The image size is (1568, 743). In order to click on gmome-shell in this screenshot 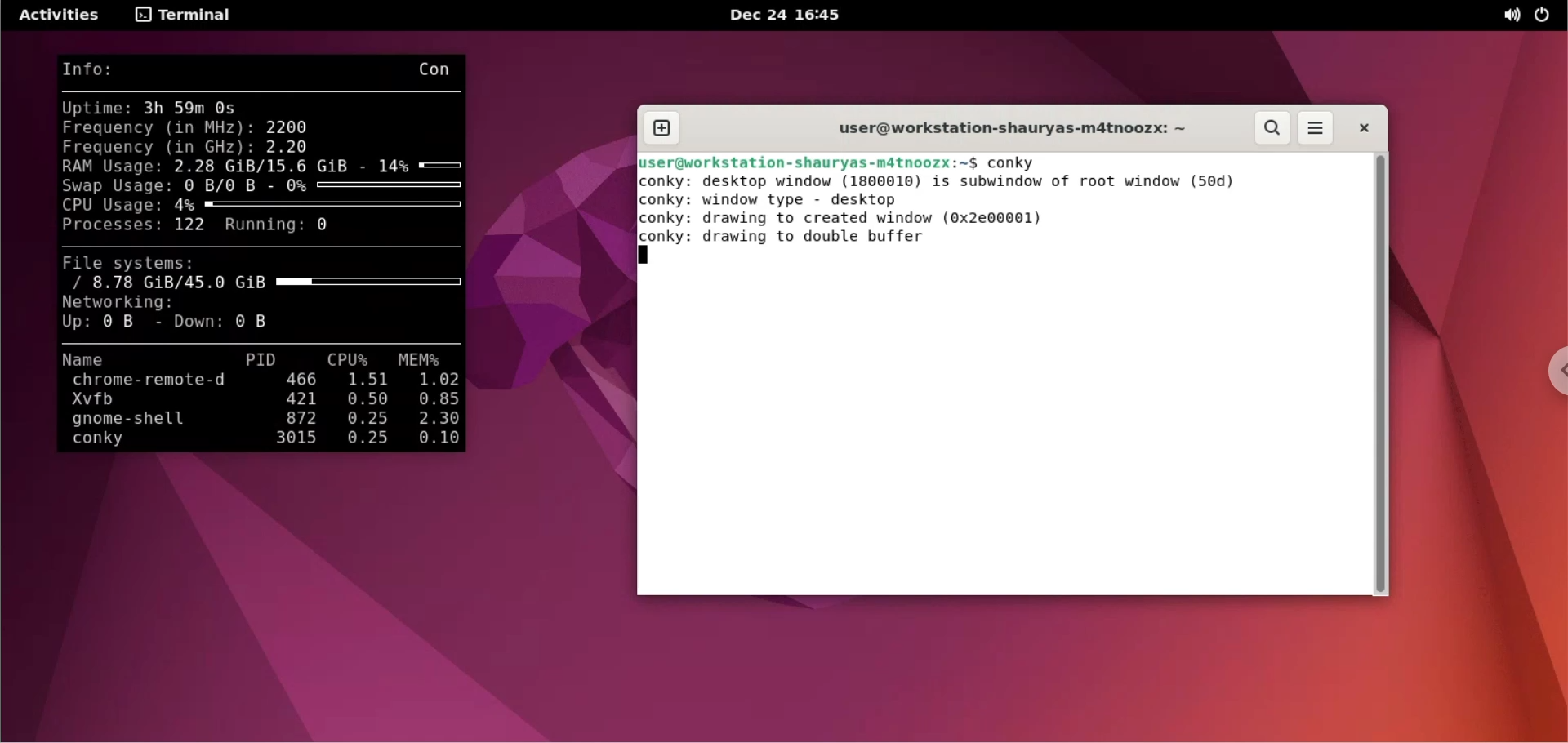, I will do `click(138, 421)`.